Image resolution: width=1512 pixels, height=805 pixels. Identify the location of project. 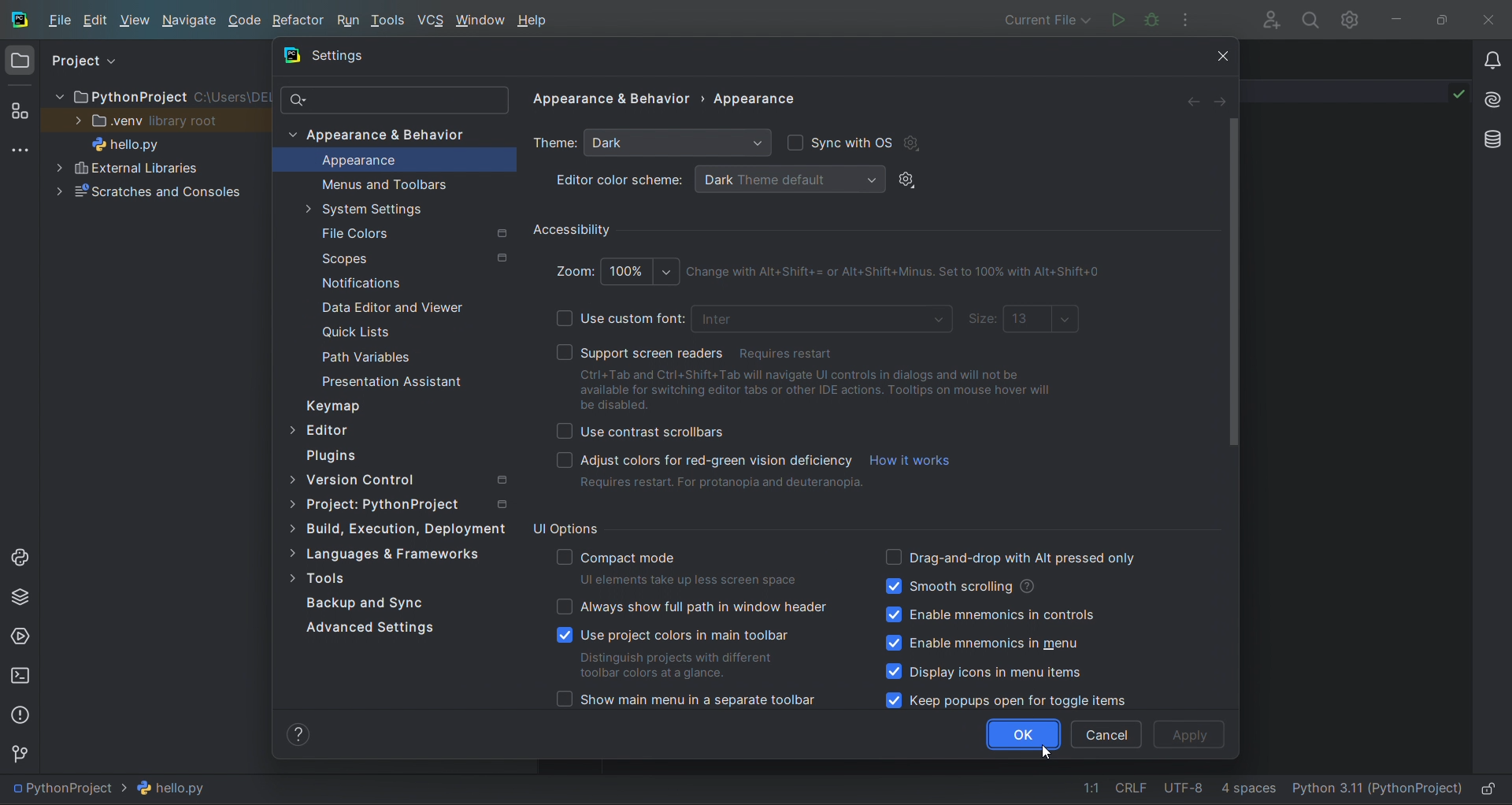
(397, 506).